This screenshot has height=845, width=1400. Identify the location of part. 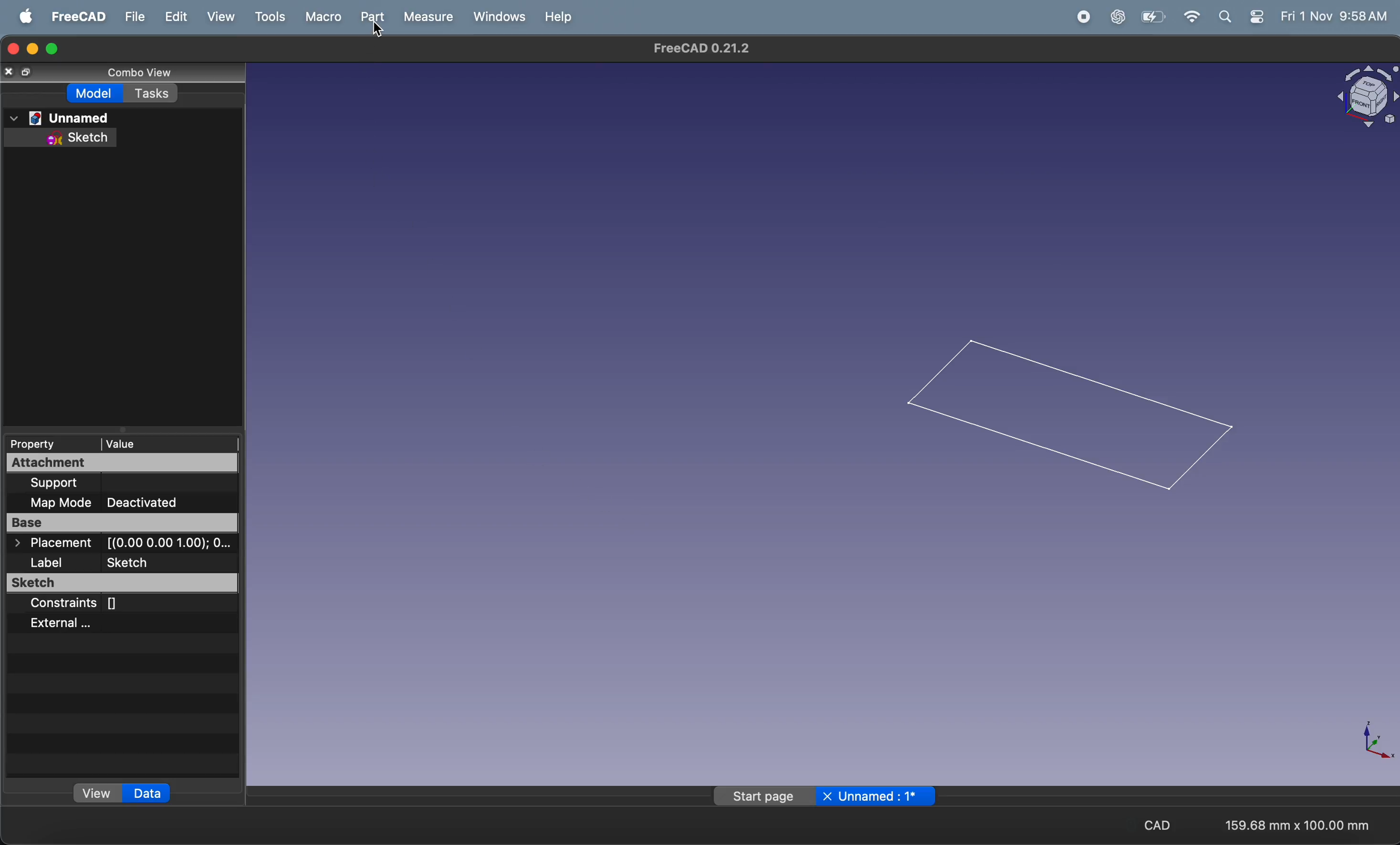
(369, 19).